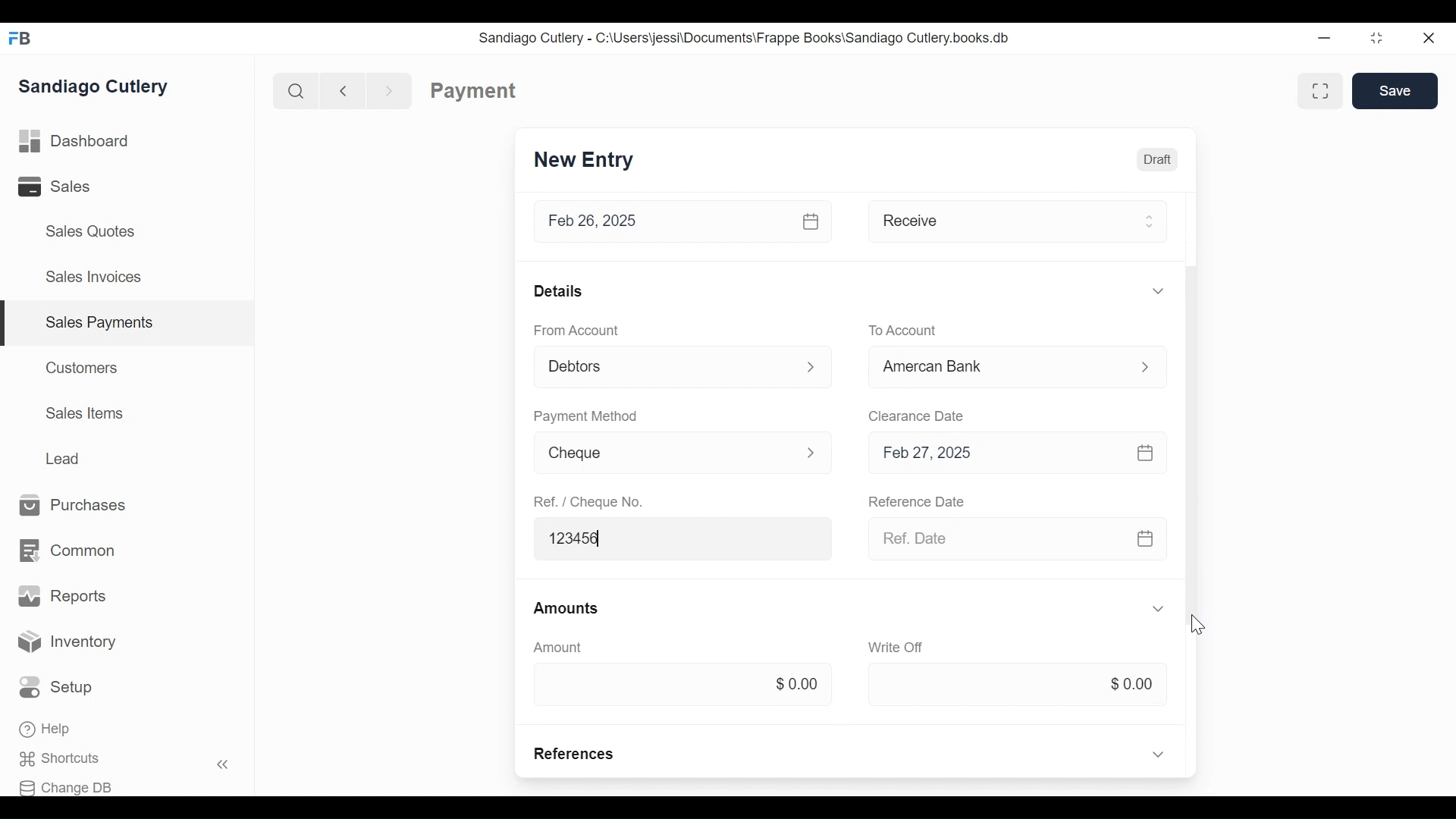 The width and height of the screenshot is (1456, 819). Describe the element at coordinates (293, 90) in the screenshot. I see `Search` at that location.